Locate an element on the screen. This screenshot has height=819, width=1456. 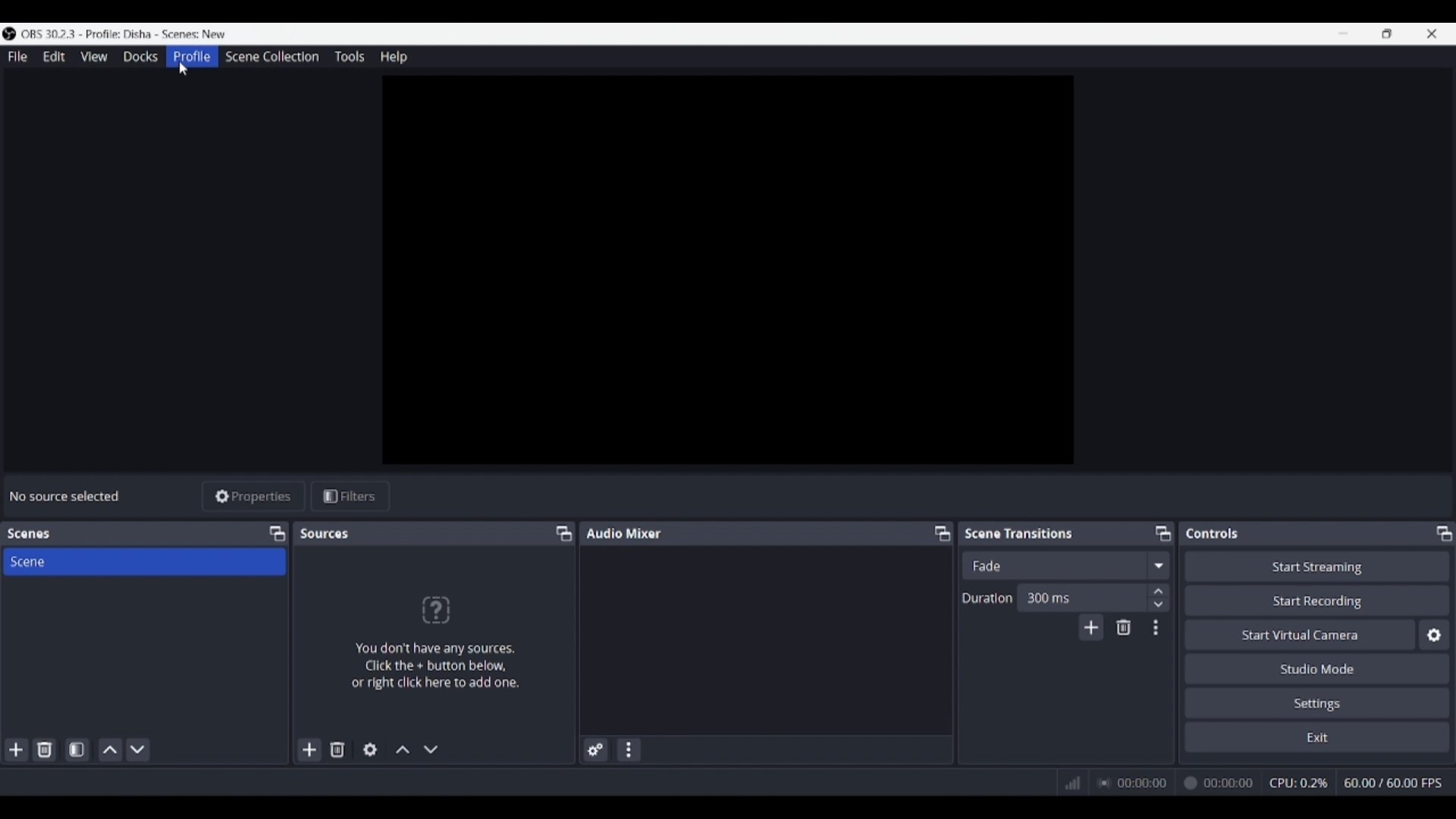
Remove selected source is located at coordinates (337, 749).